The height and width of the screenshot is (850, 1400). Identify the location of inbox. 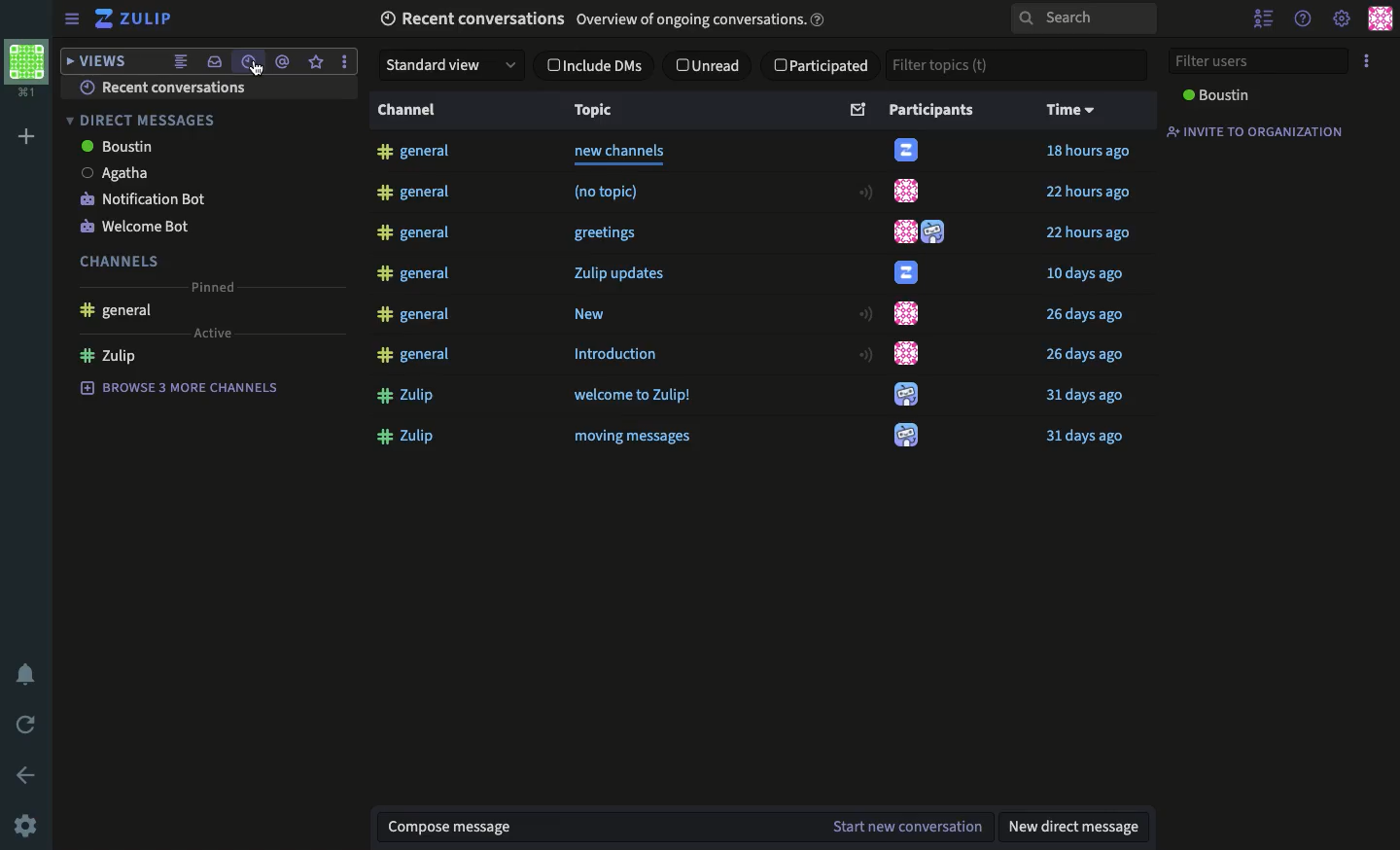
(213, 61).